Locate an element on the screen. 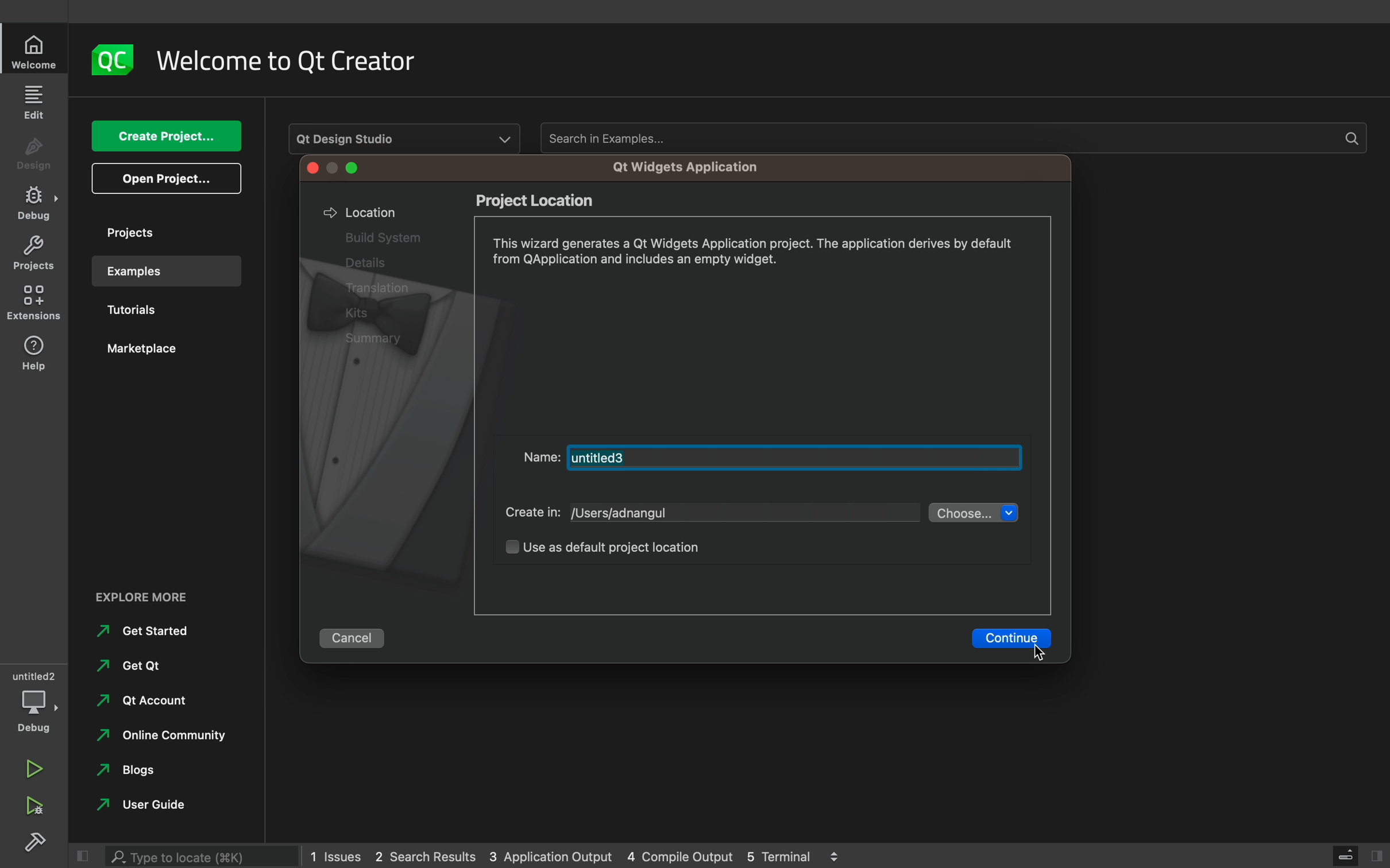 Image resolution: width=1390 pixels, height=868 pixels. Choose destination is located at coordinates (972, 513).